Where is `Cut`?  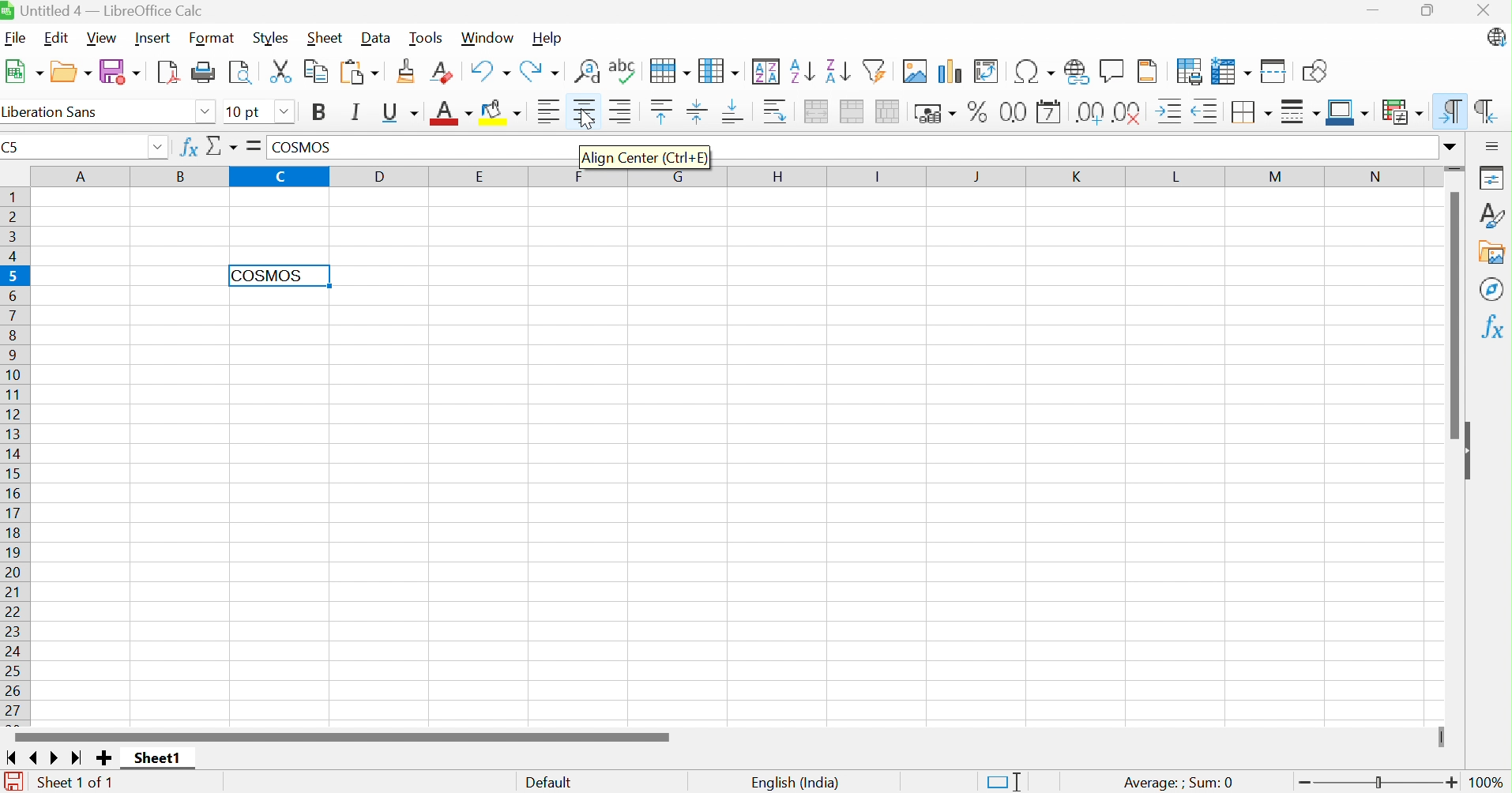 Cut is located at coordinates (281, 71).